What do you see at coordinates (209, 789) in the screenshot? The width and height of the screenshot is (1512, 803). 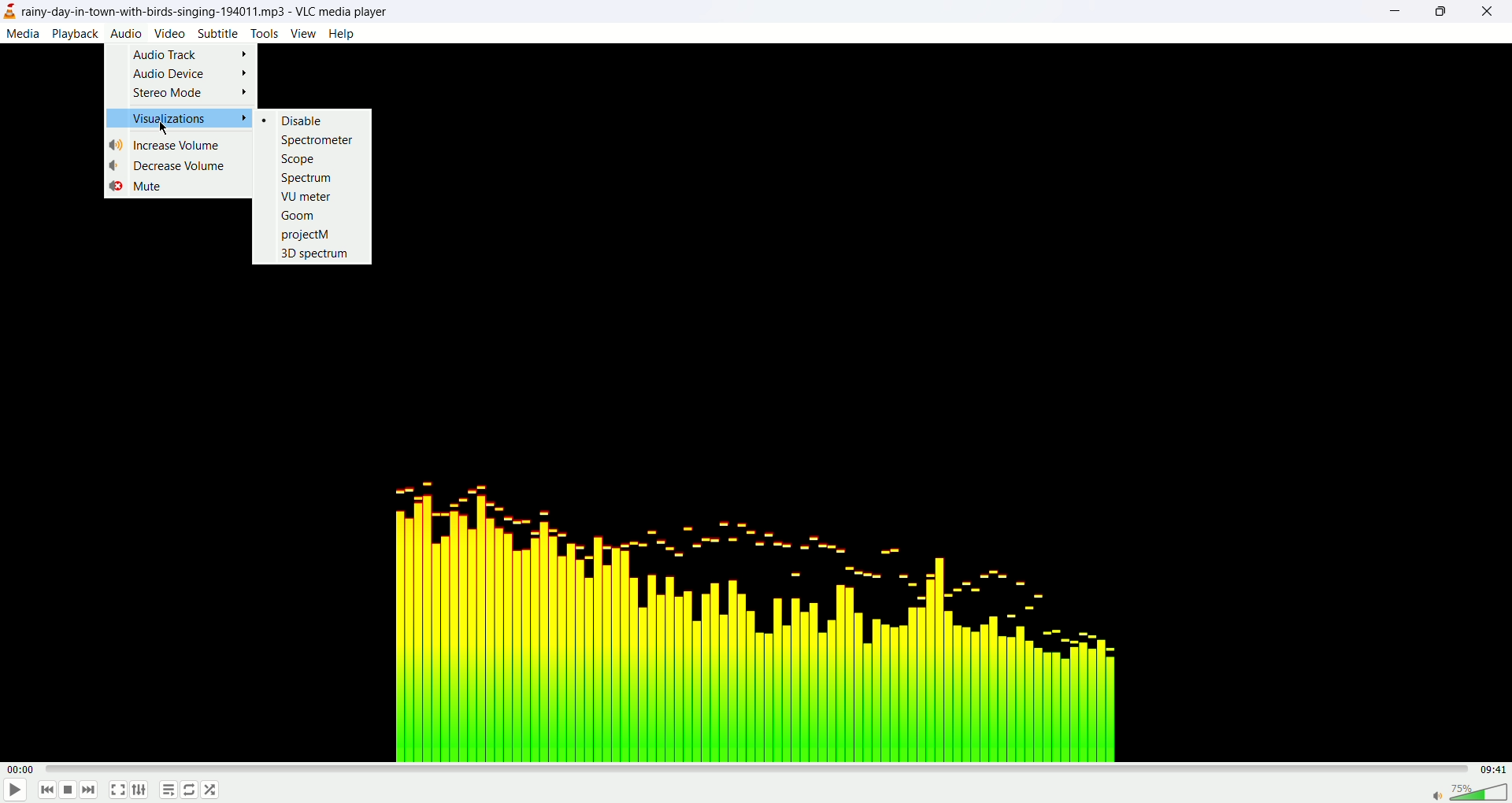 I see `shuffle` at bounding box center [209, 789].